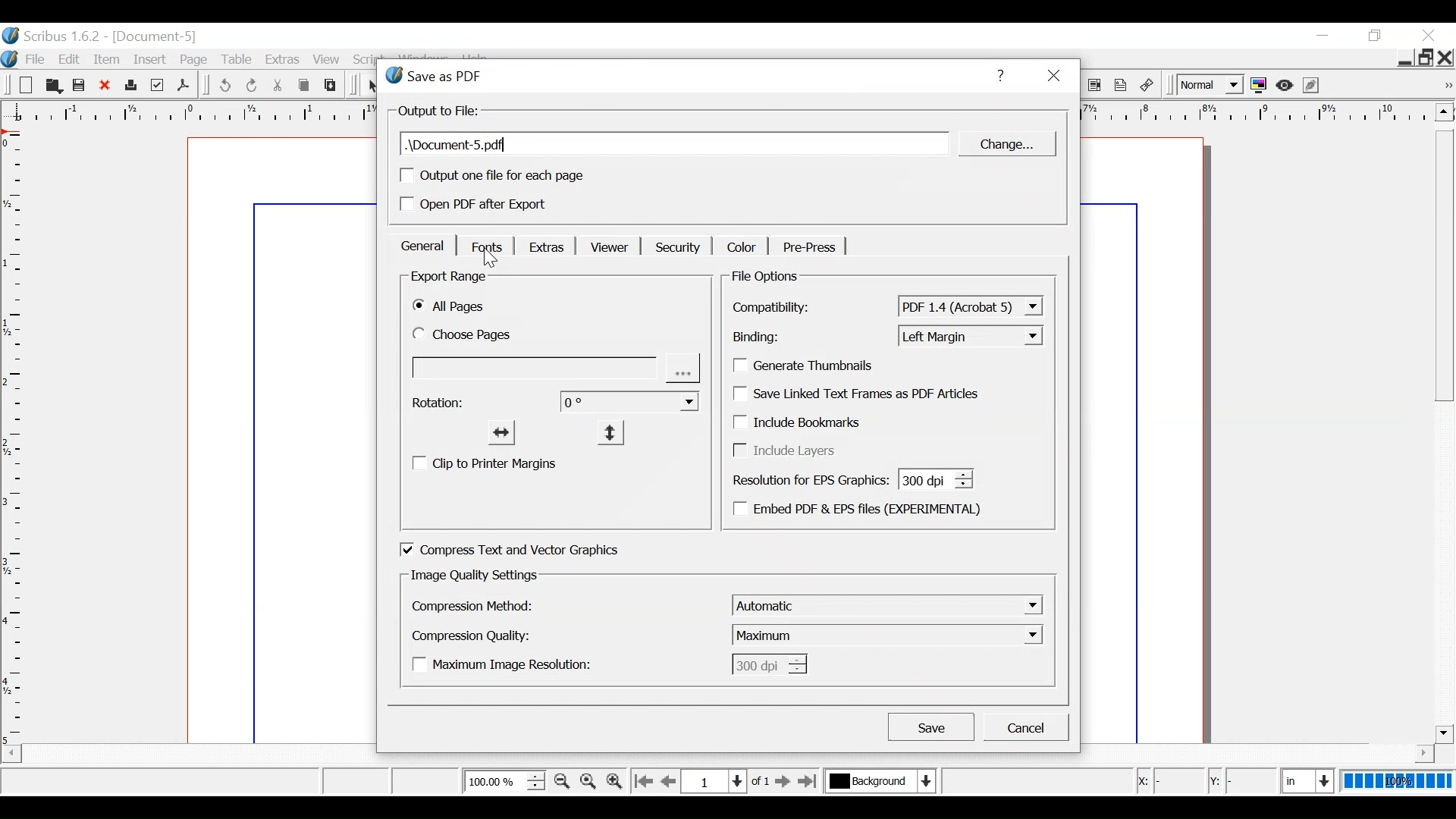 The image size is (1456, 819). What do you see at coordinates (451, 278) in the screenshot?
I see `Export Ranges` at bounding box center [451, 278].